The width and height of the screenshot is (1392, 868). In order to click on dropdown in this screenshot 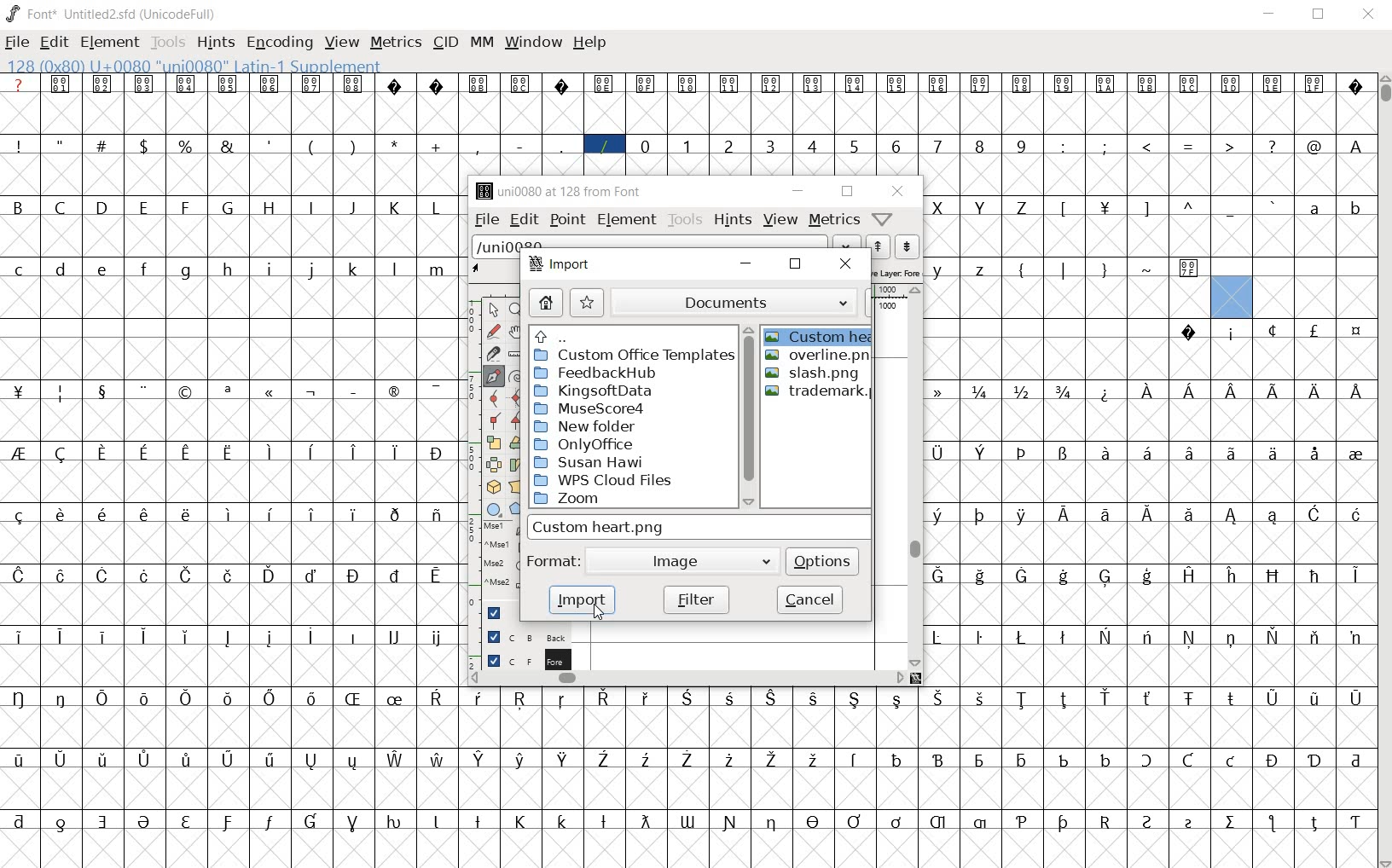, I will do `click(848, 242)`.